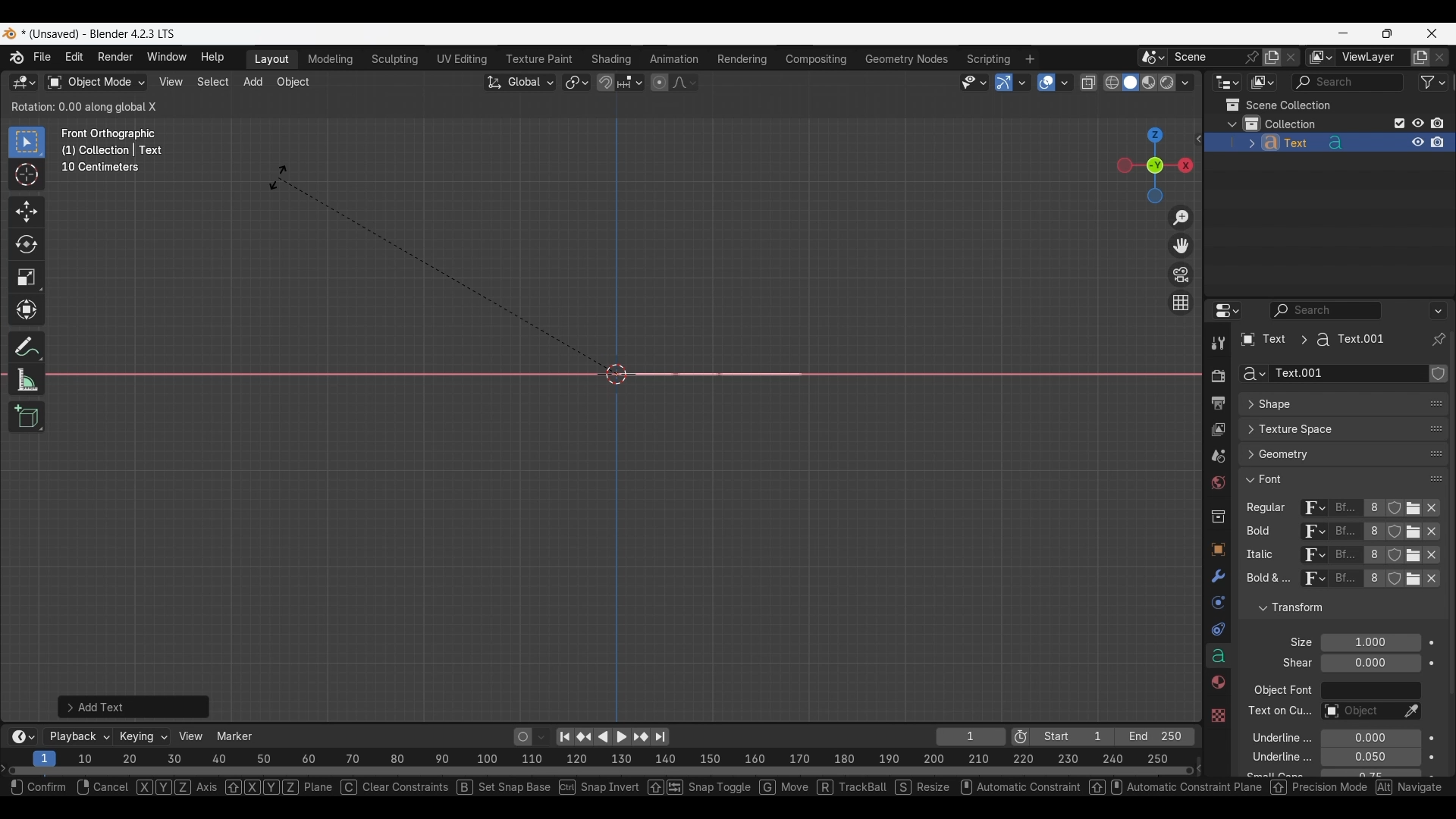 This screenshot has height=819, width=1456. Describe the element at coordinates (1216, 683) in the screenshot. I see `Material` at that location.